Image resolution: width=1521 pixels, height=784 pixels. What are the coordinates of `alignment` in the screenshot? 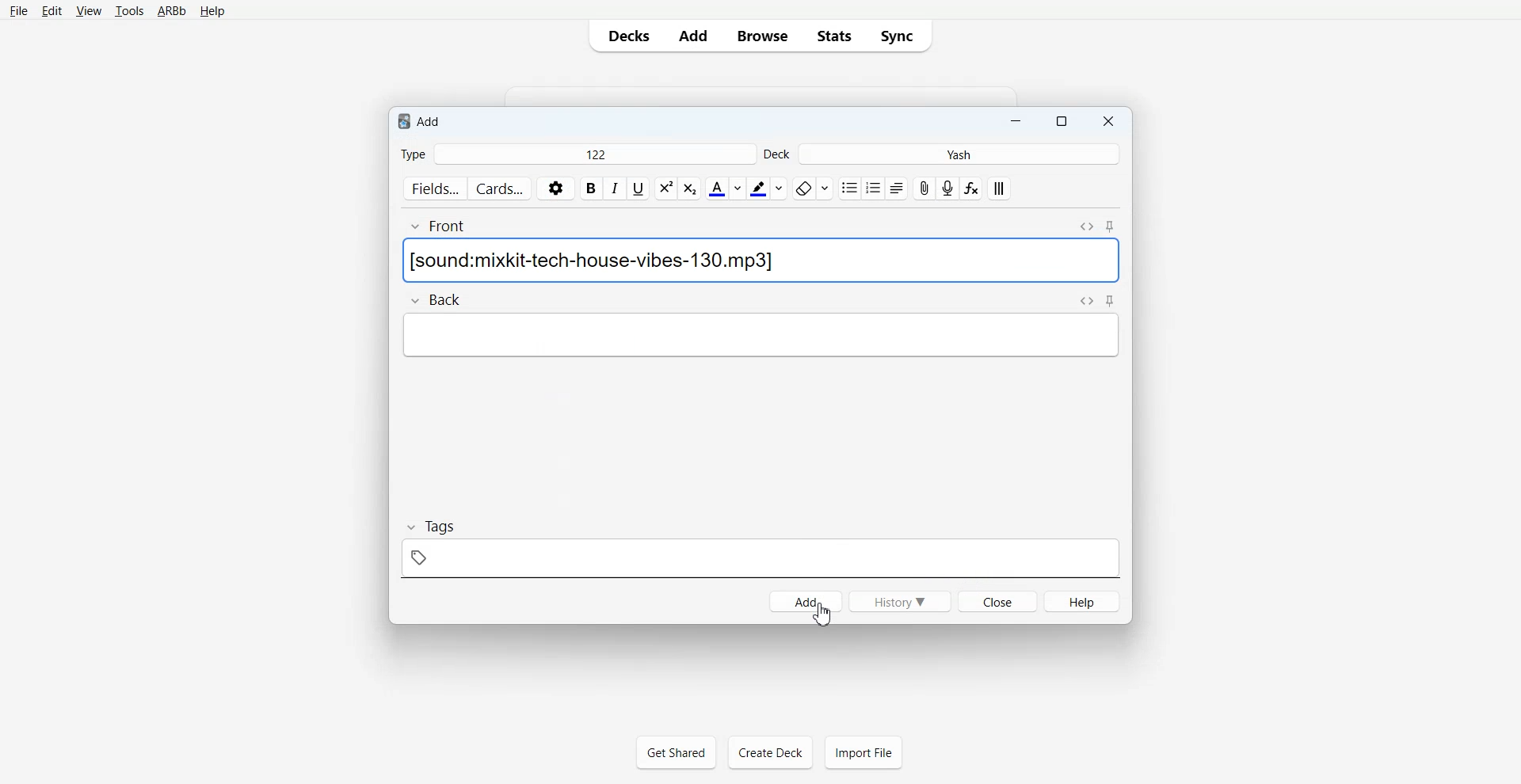 It's located at (1007, 188).